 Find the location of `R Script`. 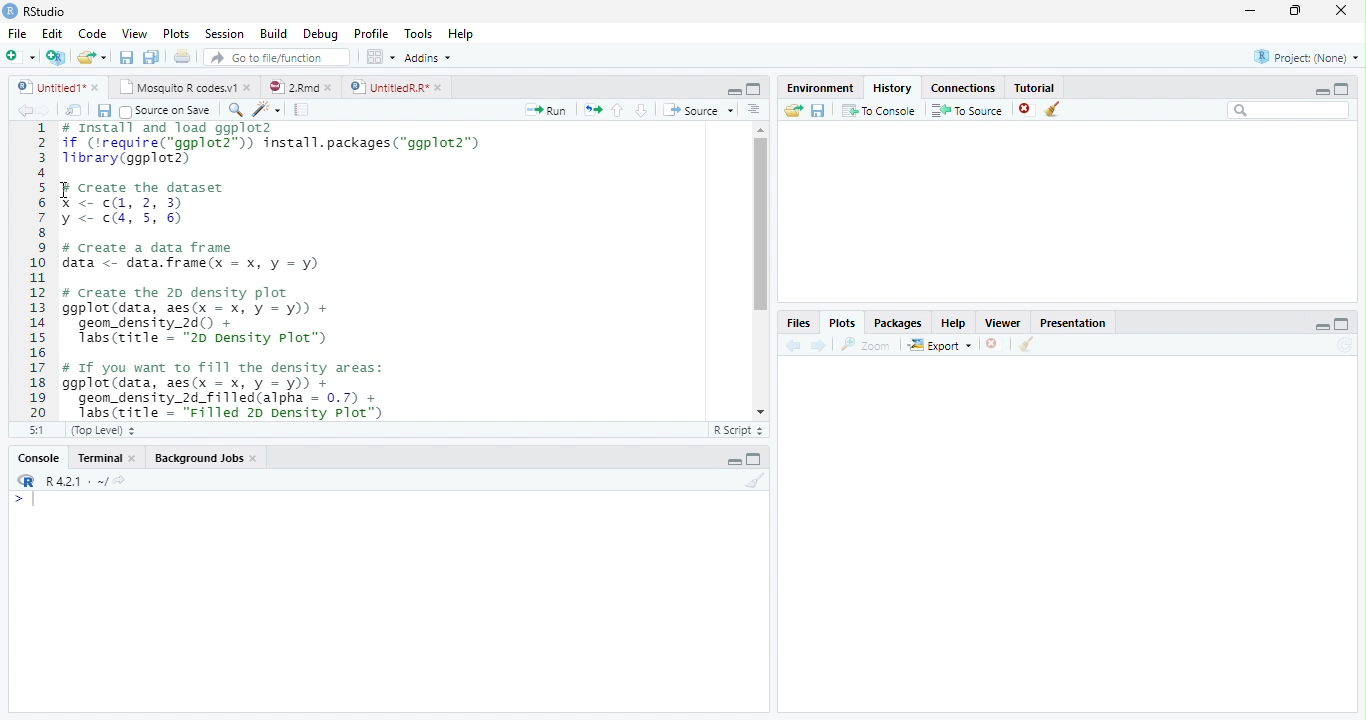

R Script is located at coordinates (739, 431).